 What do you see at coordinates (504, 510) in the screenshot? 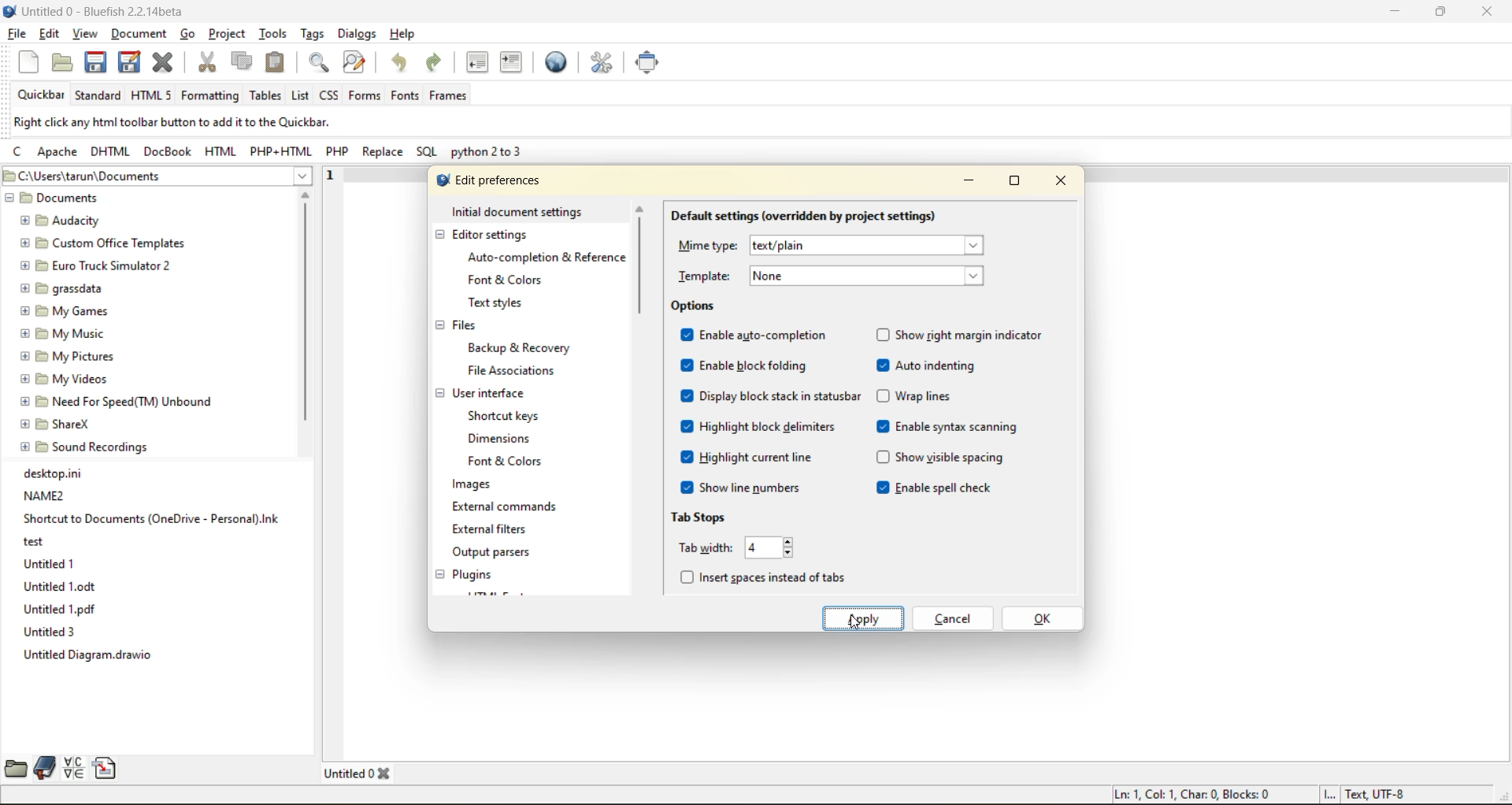
I see `external commands` at bounding box center [504, 510].